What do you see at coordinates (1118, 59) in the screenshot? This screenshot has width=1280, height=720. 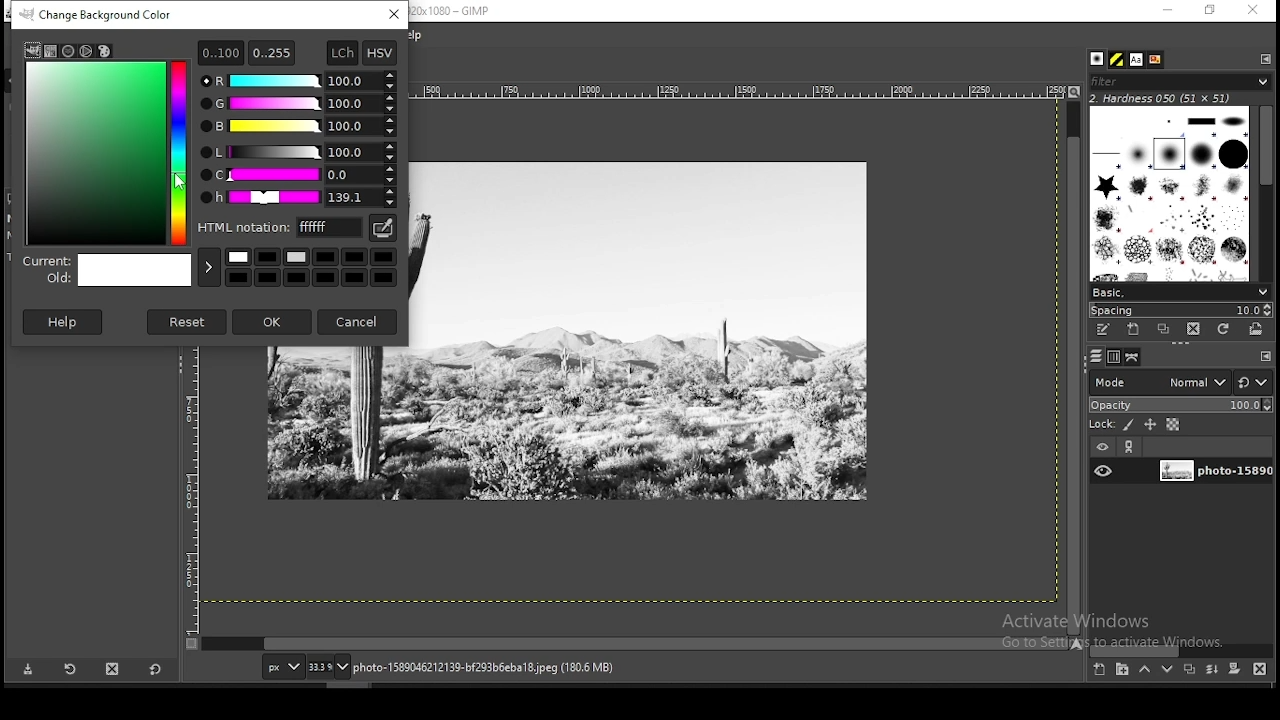 I see `patterns` at bounding box center [1118, 59].